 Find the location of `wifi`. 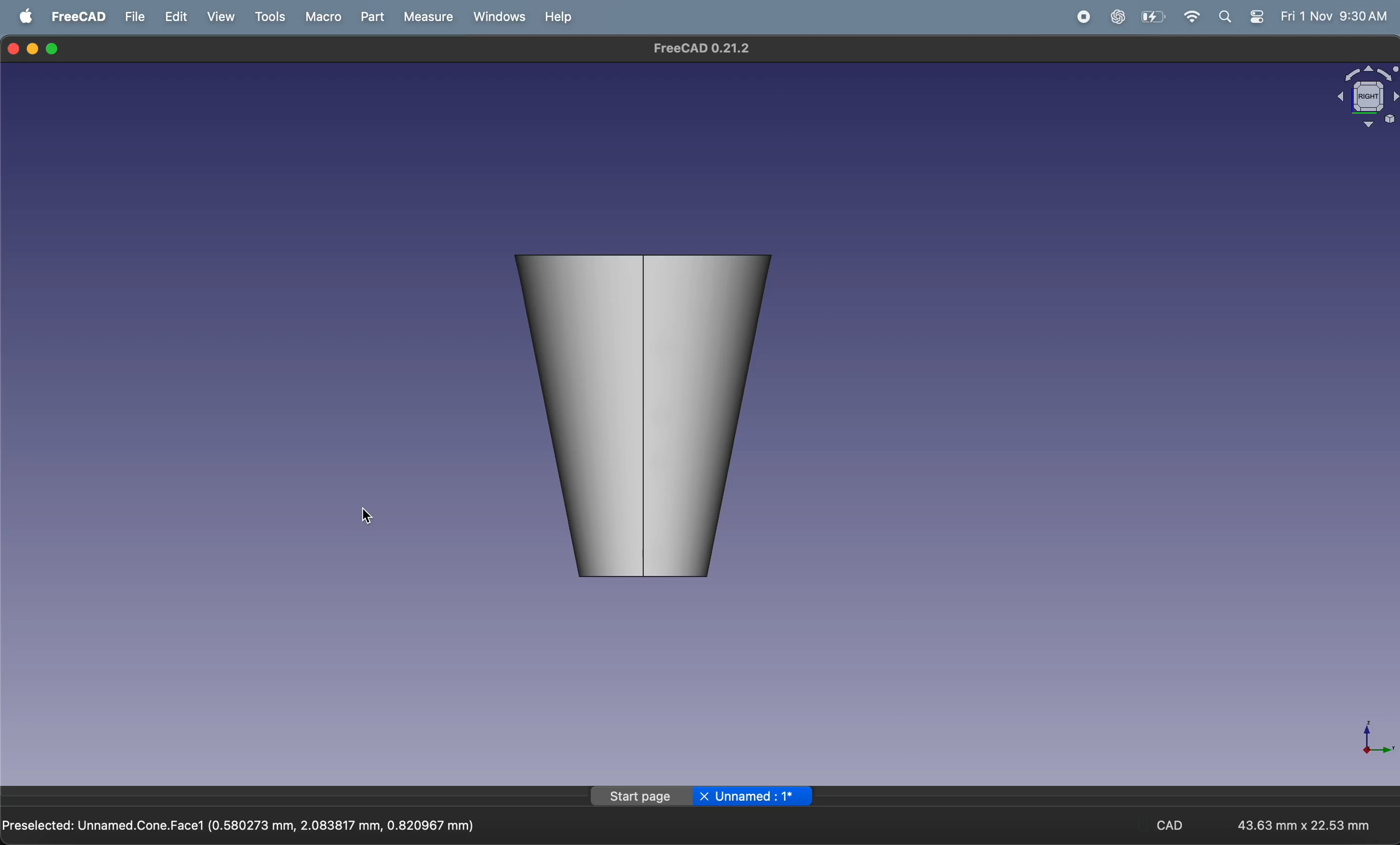

wifi is located at coordinates (1193, 16).